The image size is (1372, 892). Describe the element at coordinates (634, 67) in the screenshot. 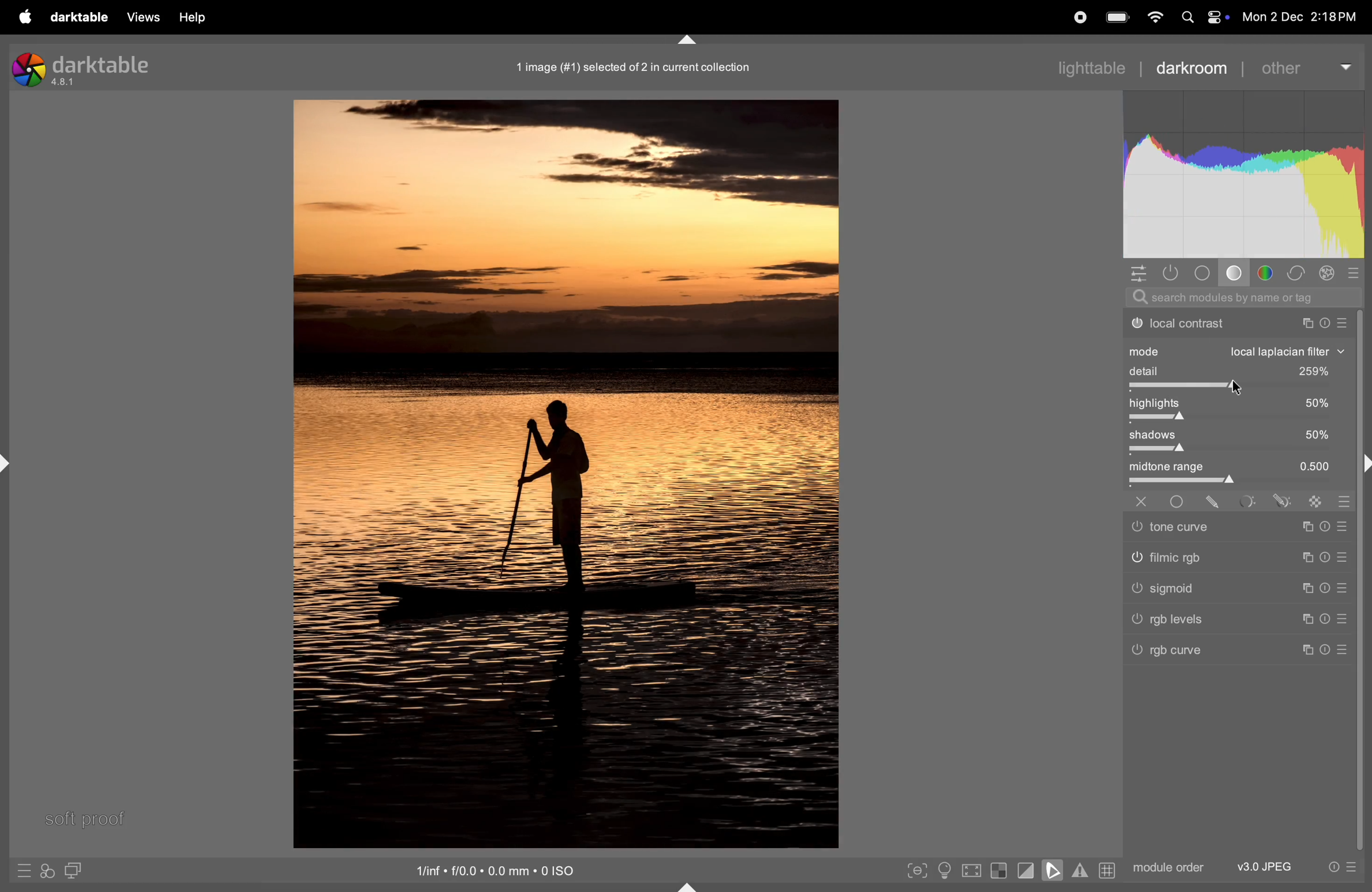

I see `image collection` at that location.